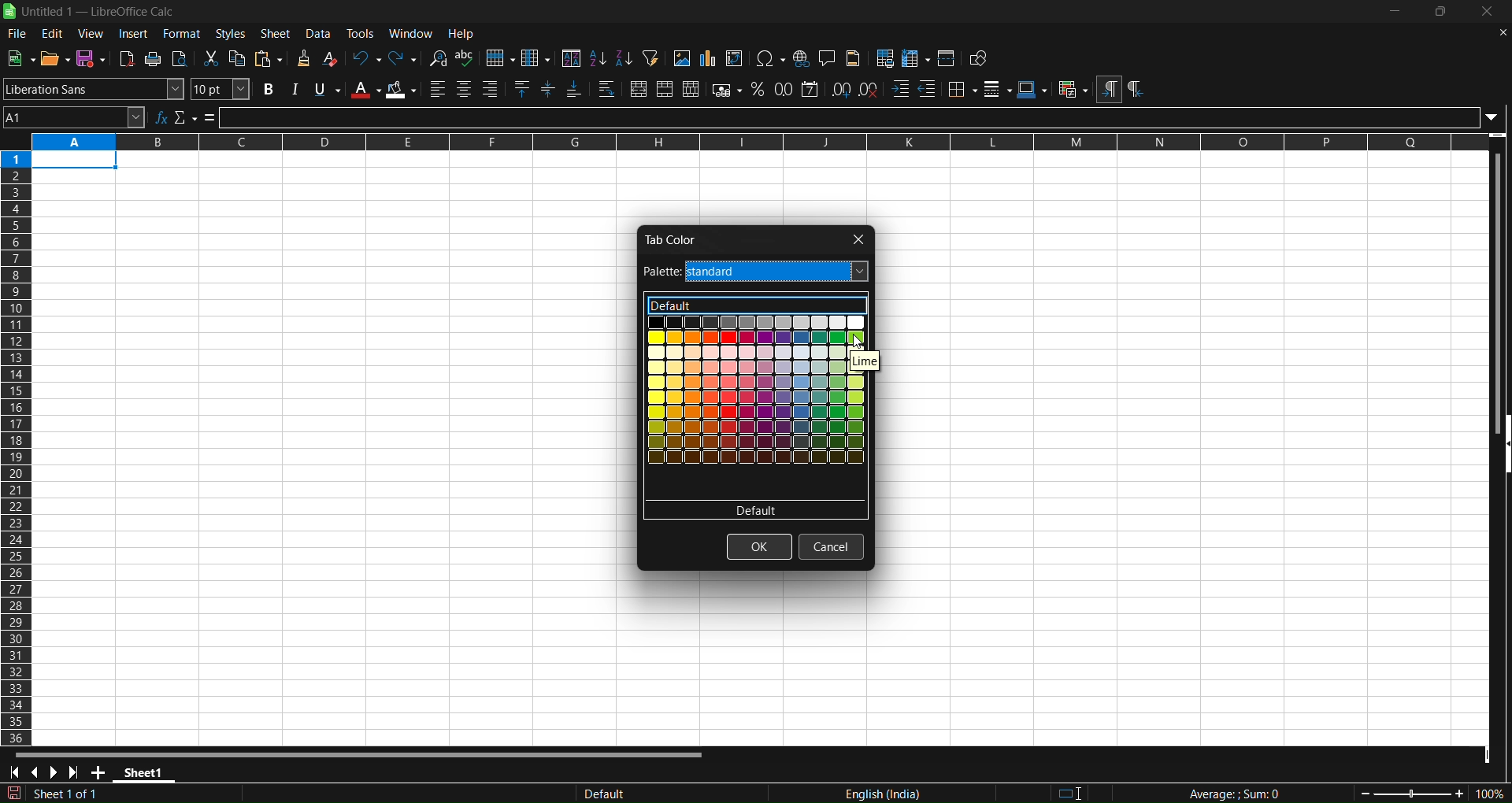  What do you see at coordinates (770, 59) in the screenshot?
I see `insert special characters` at bounding box center [770, 59].